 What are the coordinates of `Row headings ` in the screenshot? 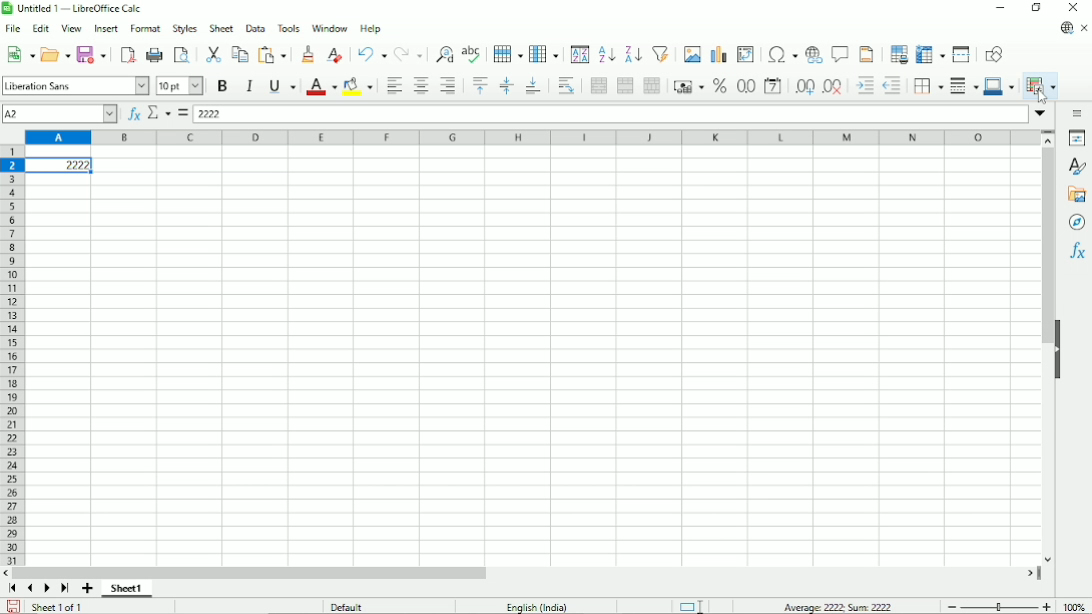 It's located at (12, 357).